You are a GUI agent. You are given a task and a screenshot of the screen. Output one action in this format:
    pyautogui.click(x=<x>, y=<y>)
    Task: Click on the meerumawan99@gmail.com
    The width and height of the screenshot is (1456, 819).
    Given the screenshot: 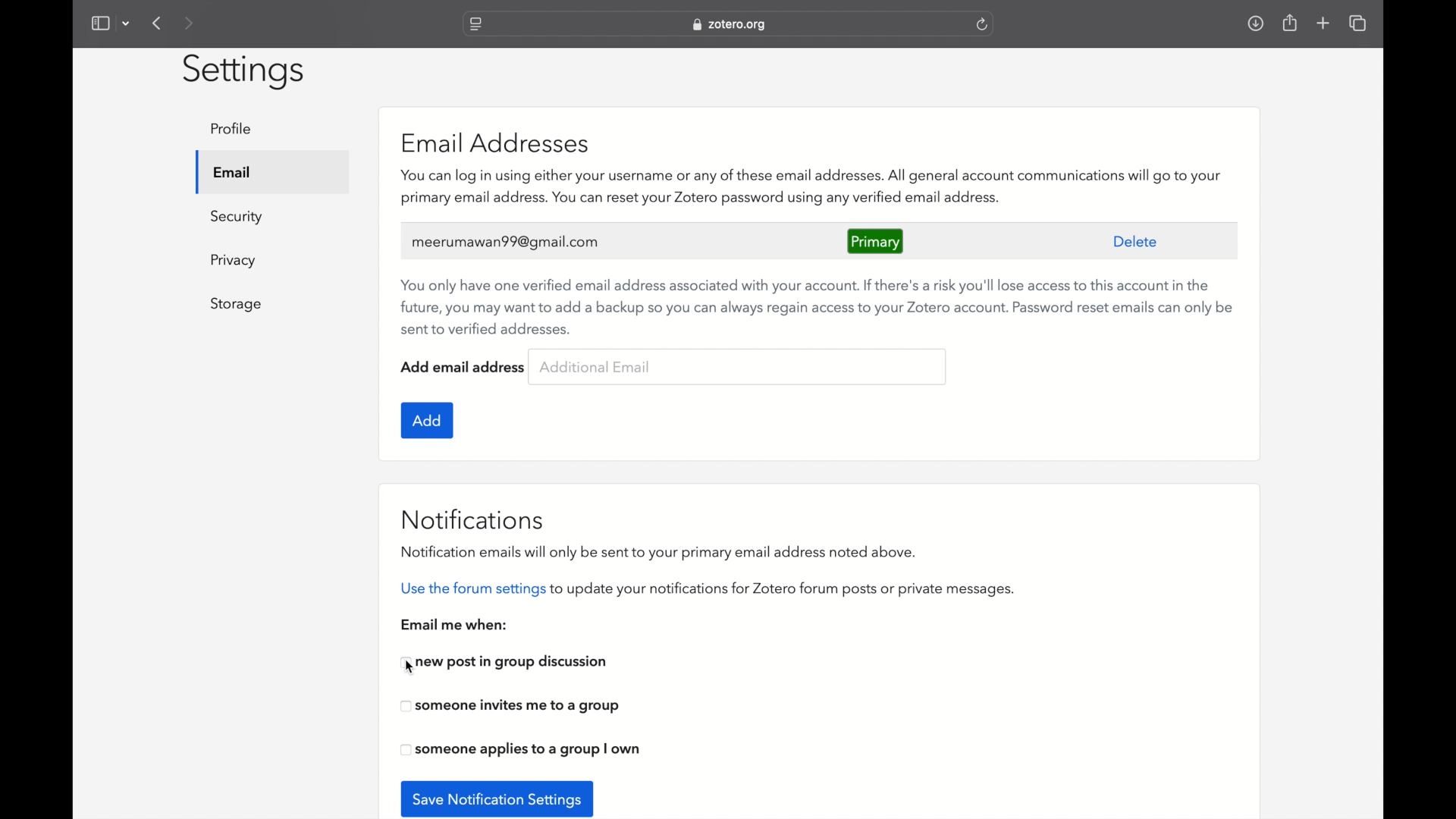 What is the action you would take?
    pyautogui.click(x=506, y=243)
    